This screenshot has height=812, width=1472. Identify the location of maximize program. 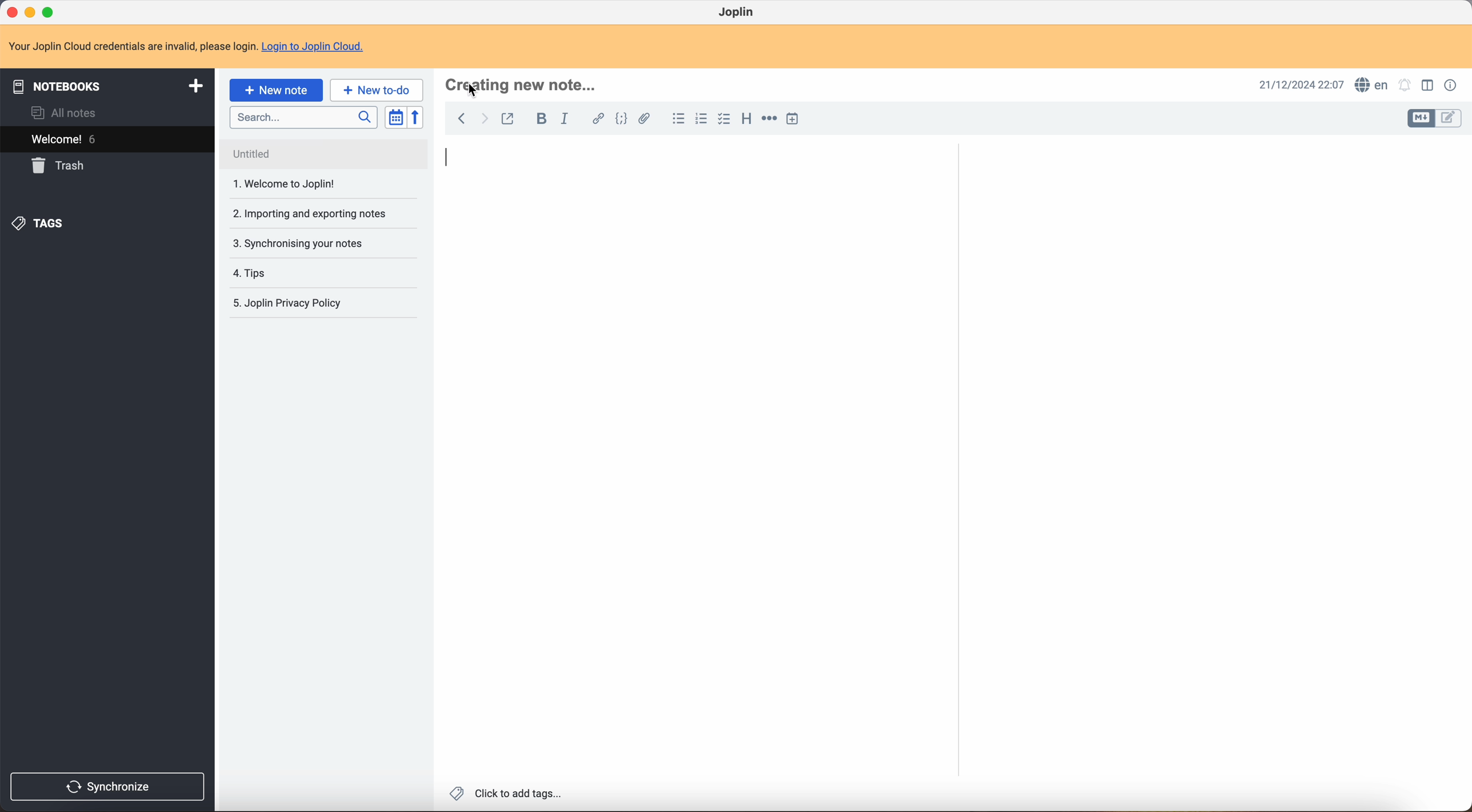
(50, 11).